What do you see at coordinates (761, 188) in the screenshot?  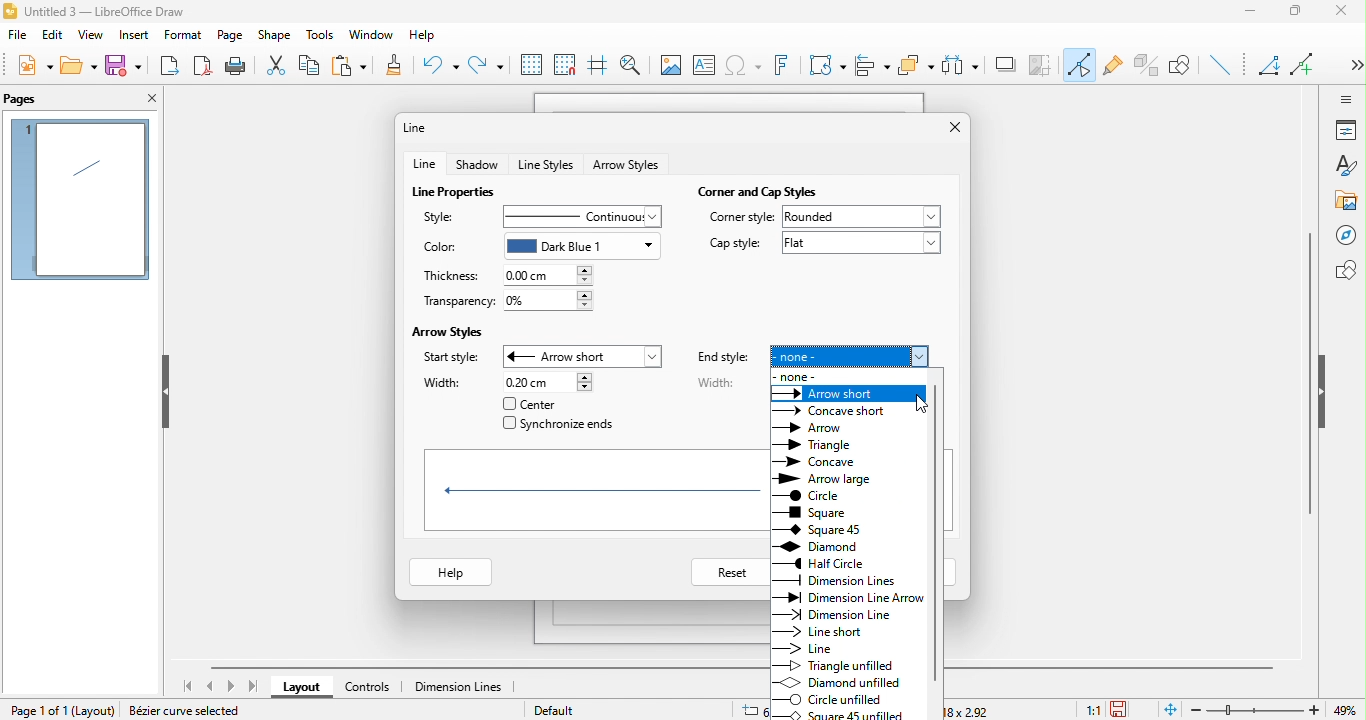 I see `corner and cap styles` at bounding box center [761, 188].